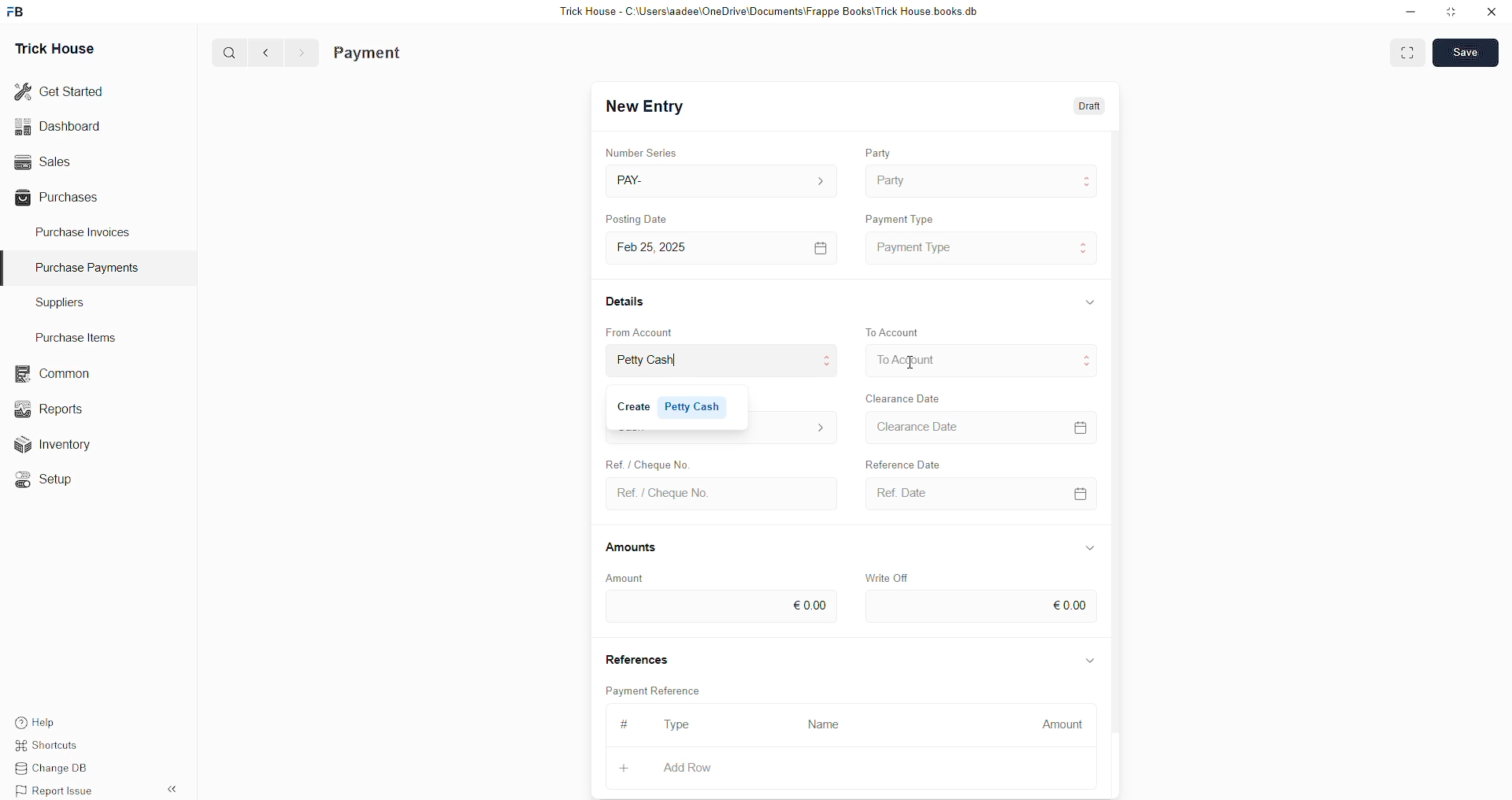 This screenshot has height=800, width=1512. Describe the element at coordinates (892, 179) in the screenshot. I see `Party` at that location.